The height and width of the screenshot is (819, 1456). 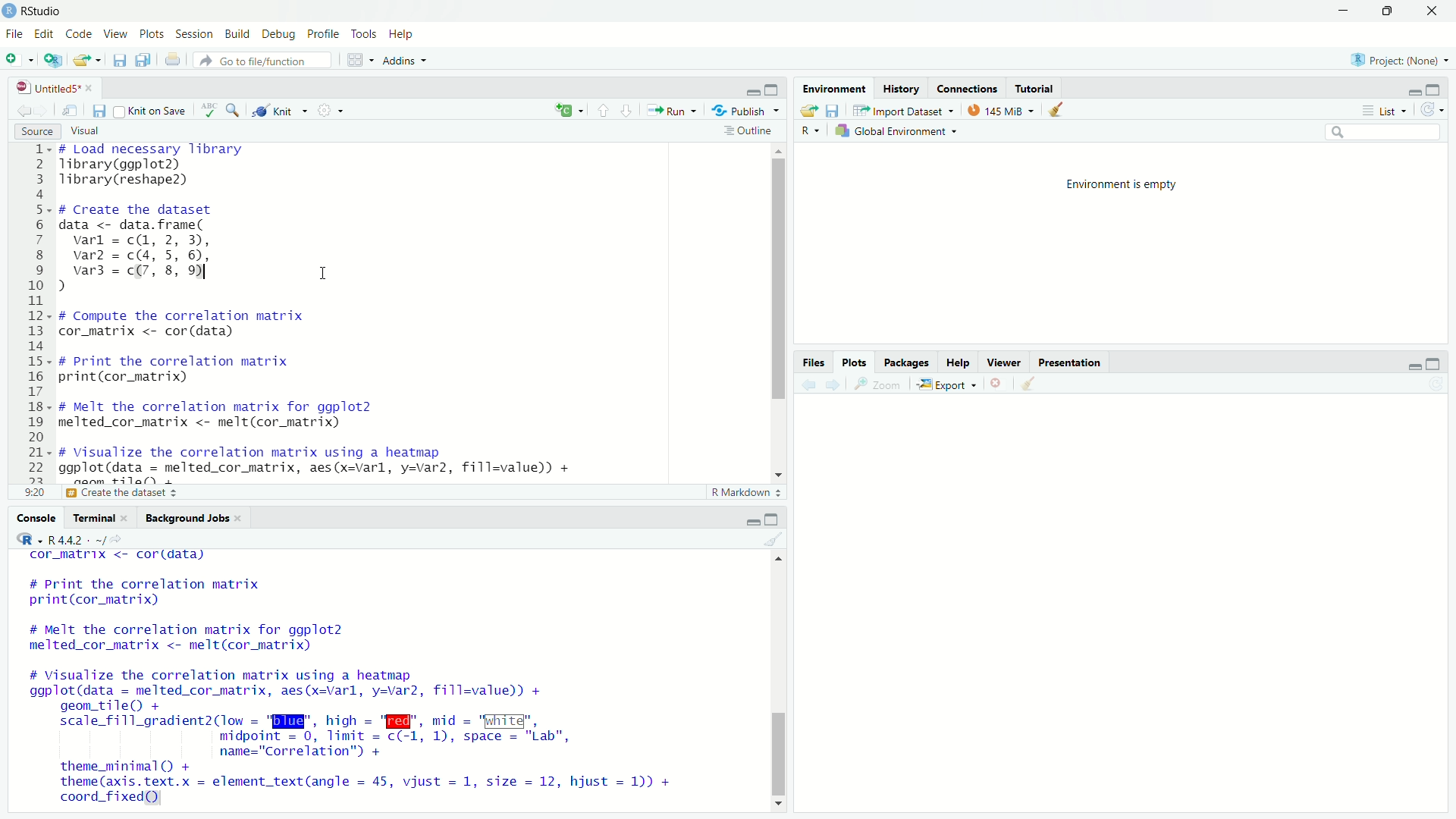 I want to click on profile, so click(x=324, y=35).